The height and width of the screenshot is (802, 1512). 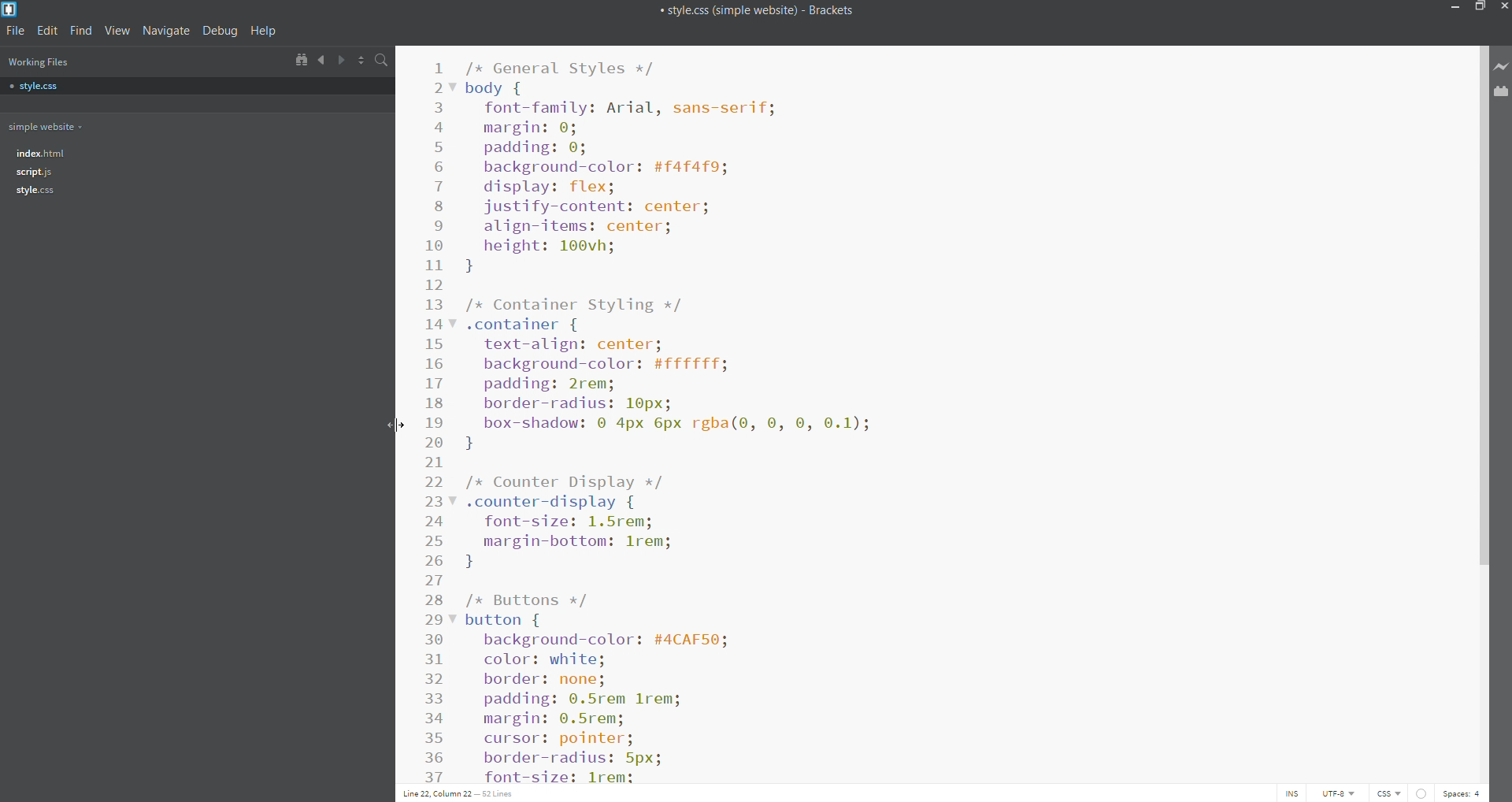 What do you see at coordinates (363, 60) in the screenshot?
I see `split horizontally/vertically` at bounding box center [363, 60].